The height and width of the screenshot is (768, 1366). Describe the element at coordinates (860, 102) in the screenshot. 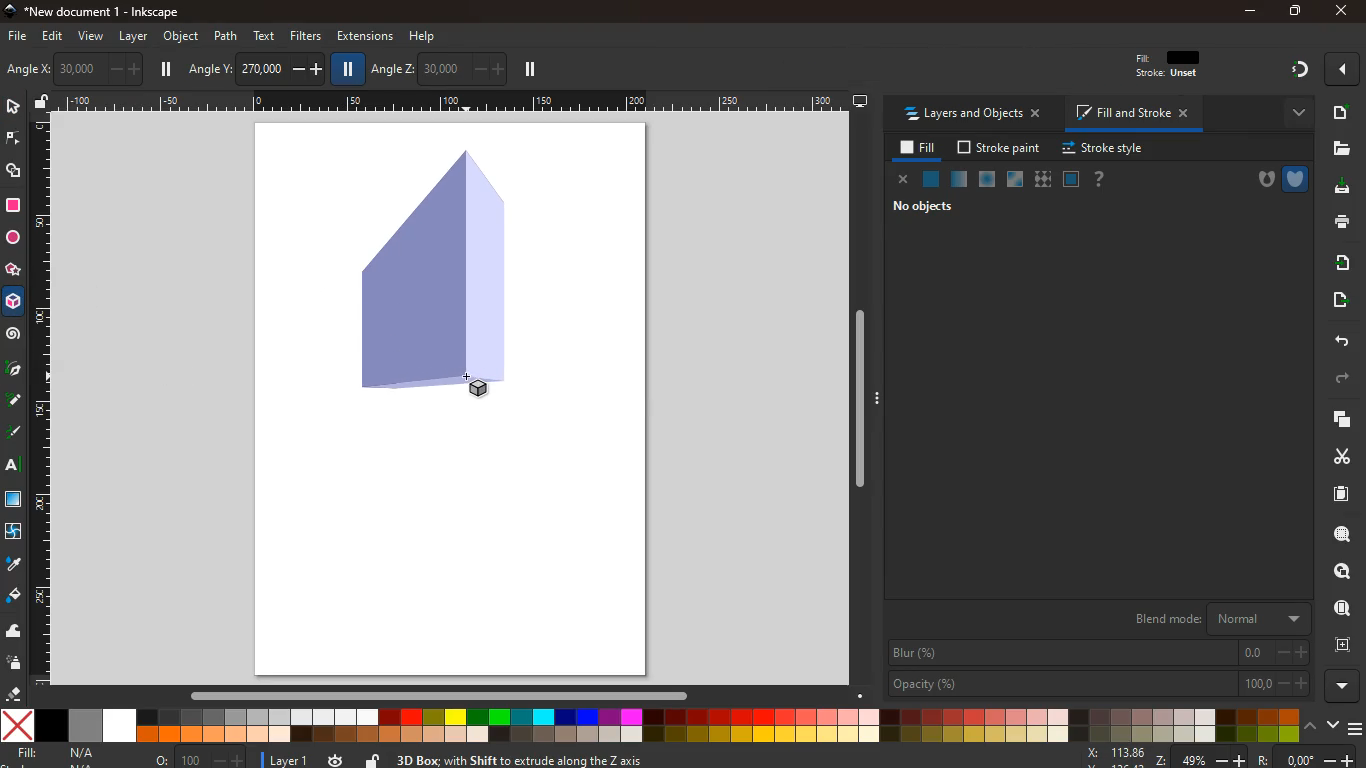

I see `desktop` at that location.